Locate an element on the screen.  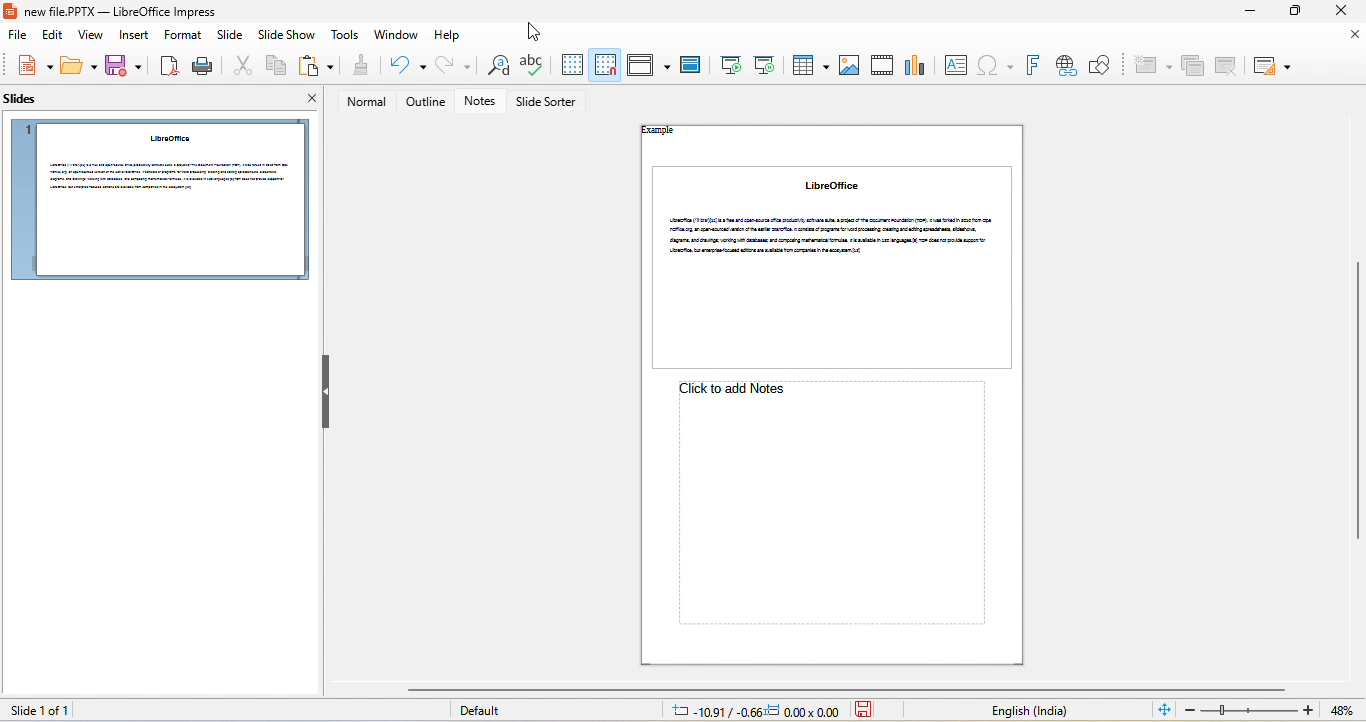
outline is located at coordinates (426, 102).